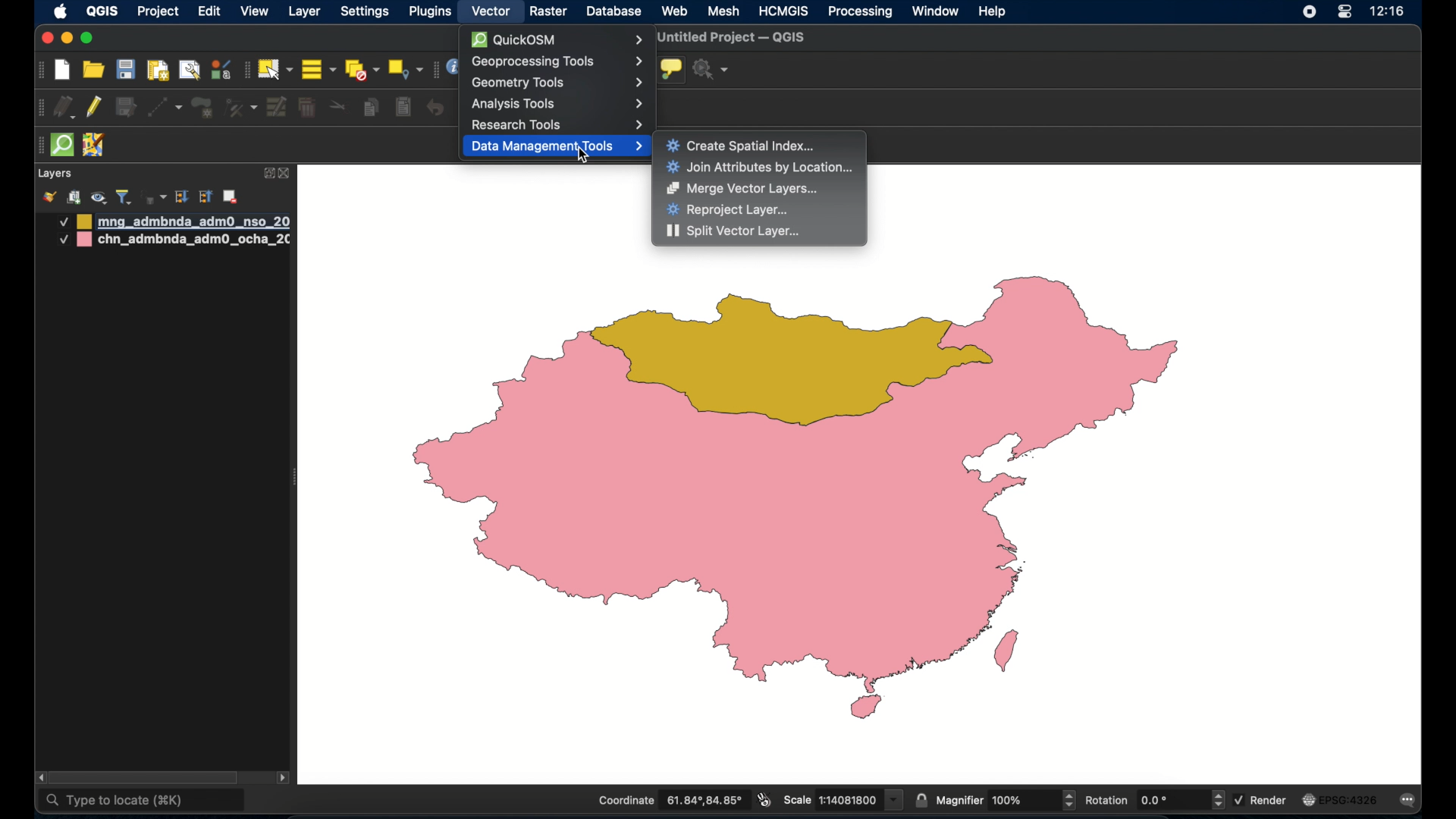  Describe the element at coordinates (557, 103) in the screenshot. I see `analysis tools` at that location.